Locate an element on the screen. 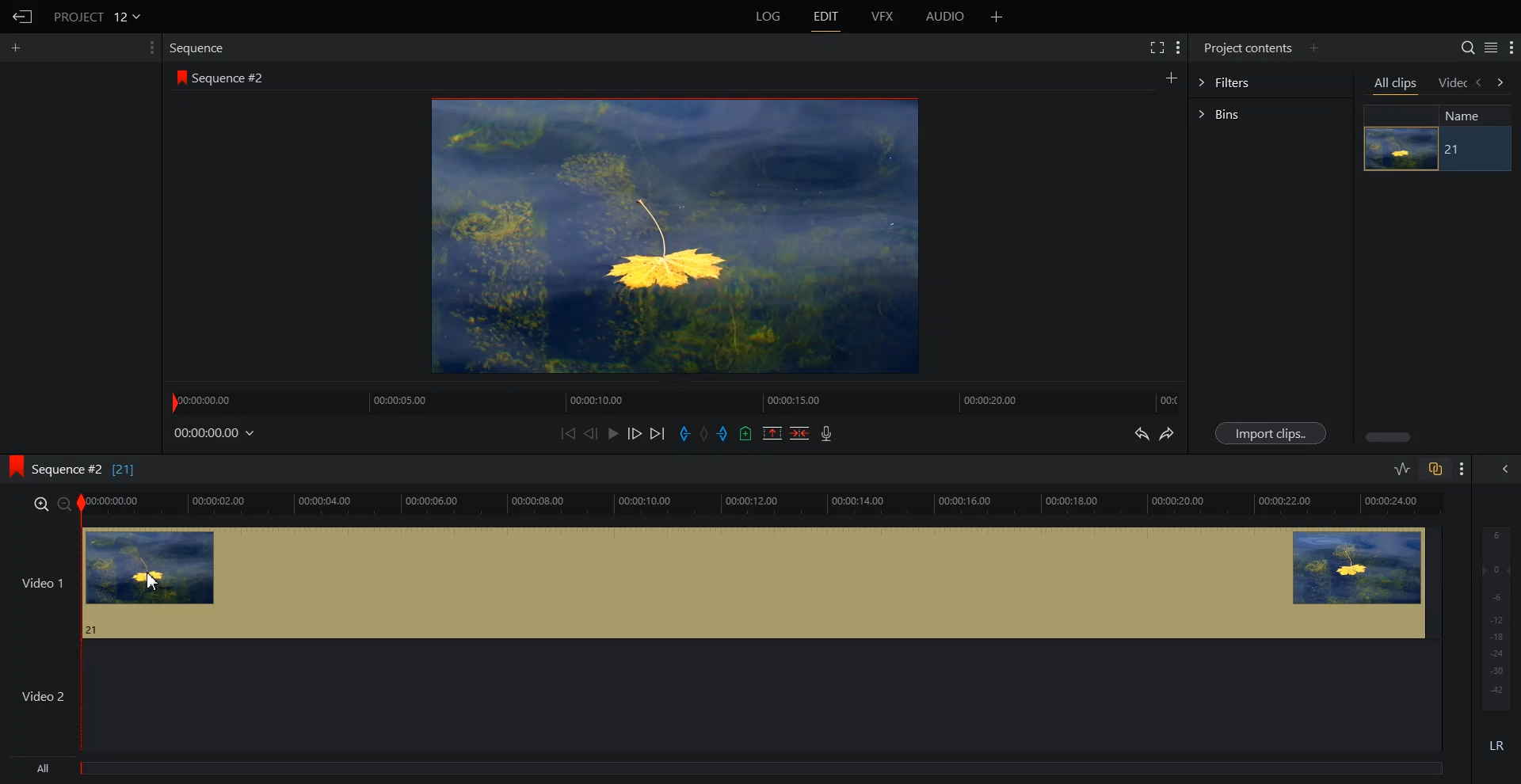  VFX is located at coordinates (884, 17).